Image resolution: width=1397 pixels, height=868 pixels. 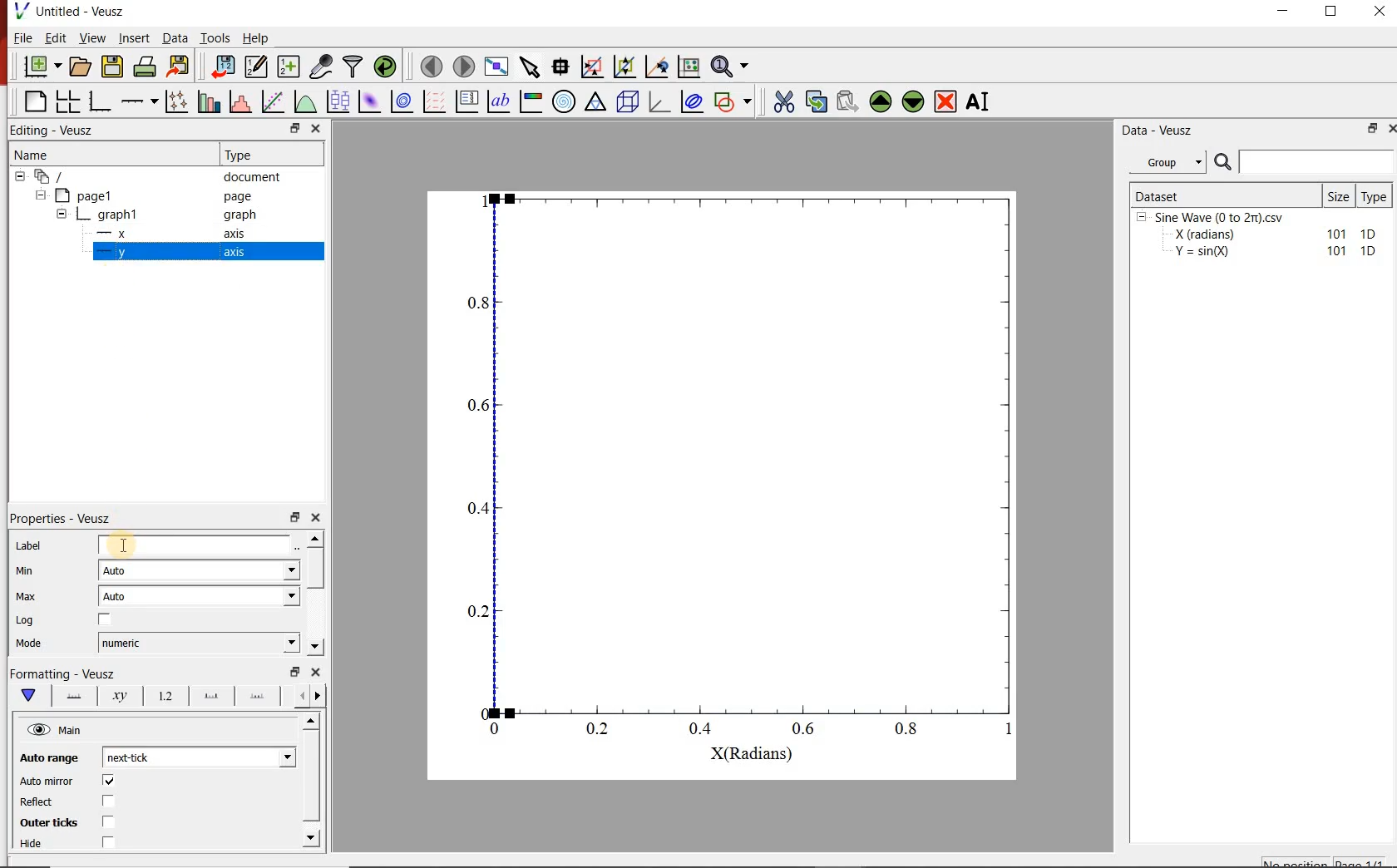 I want to click on add a shape to the plot, so click(x=736, y=101).